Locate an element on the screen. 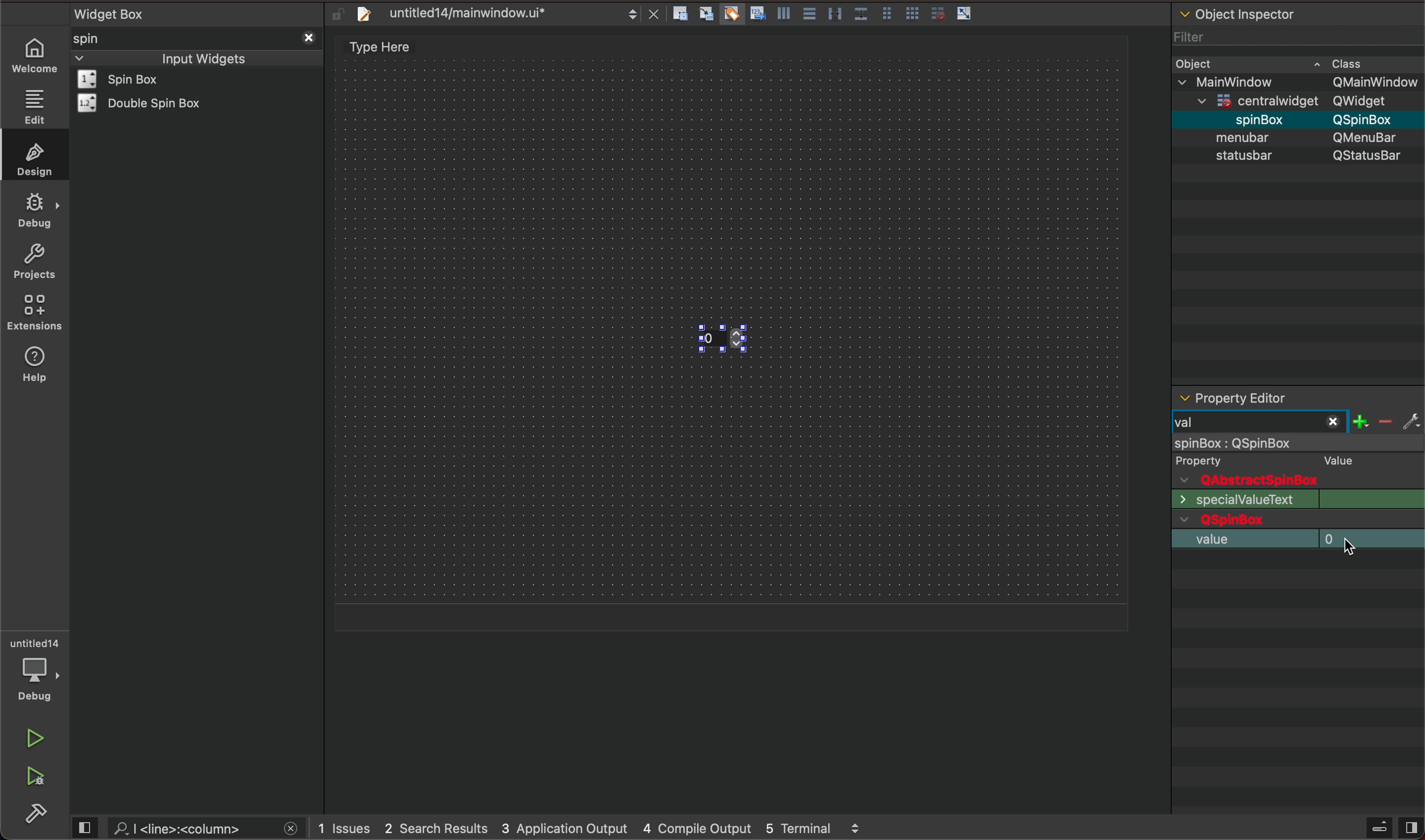  object is located at coordinates (1198, 62).